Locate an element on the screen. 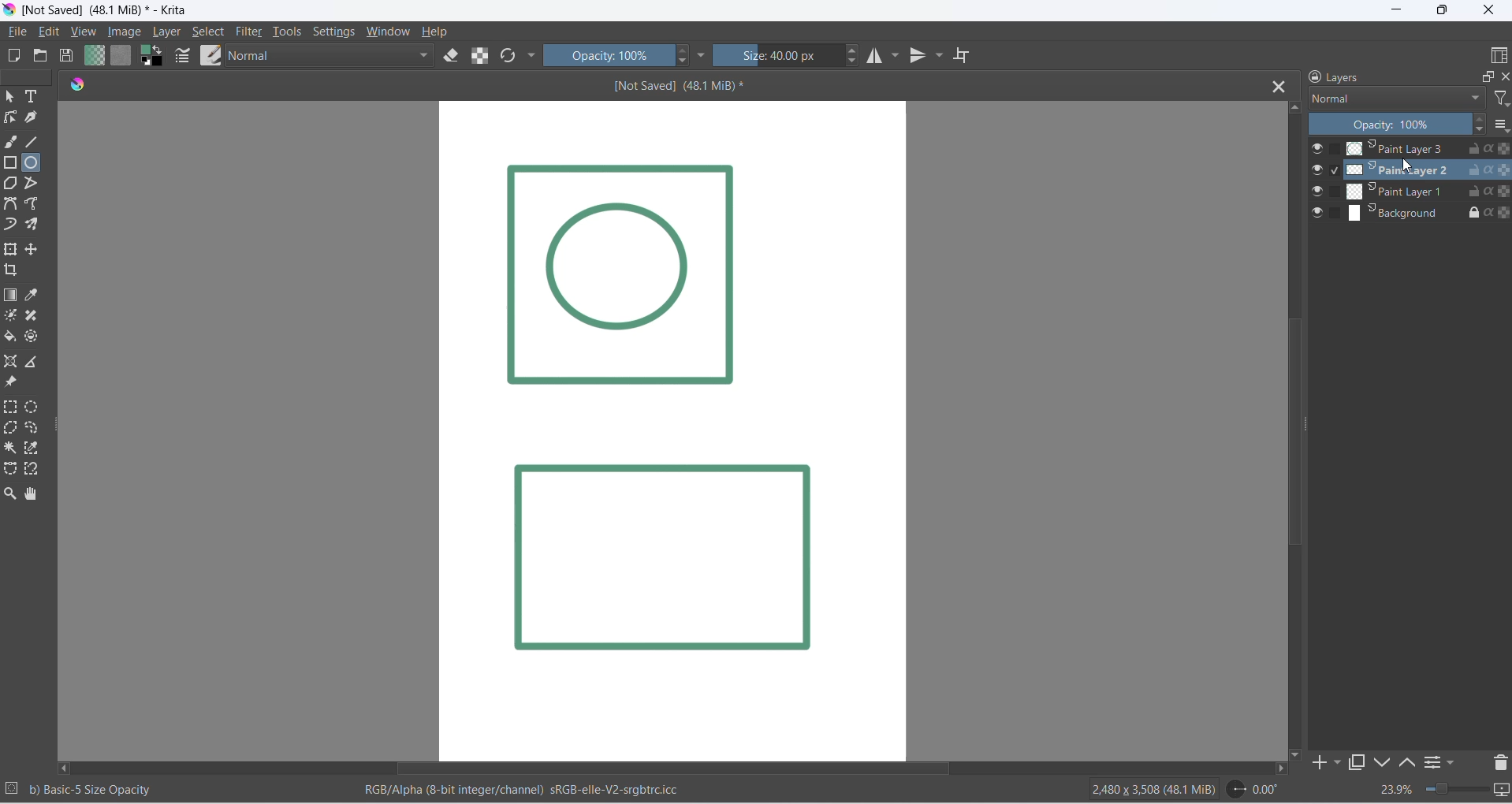 This screenshot has height=804, width=1512. unlock is located at coordinates (1470, 171).